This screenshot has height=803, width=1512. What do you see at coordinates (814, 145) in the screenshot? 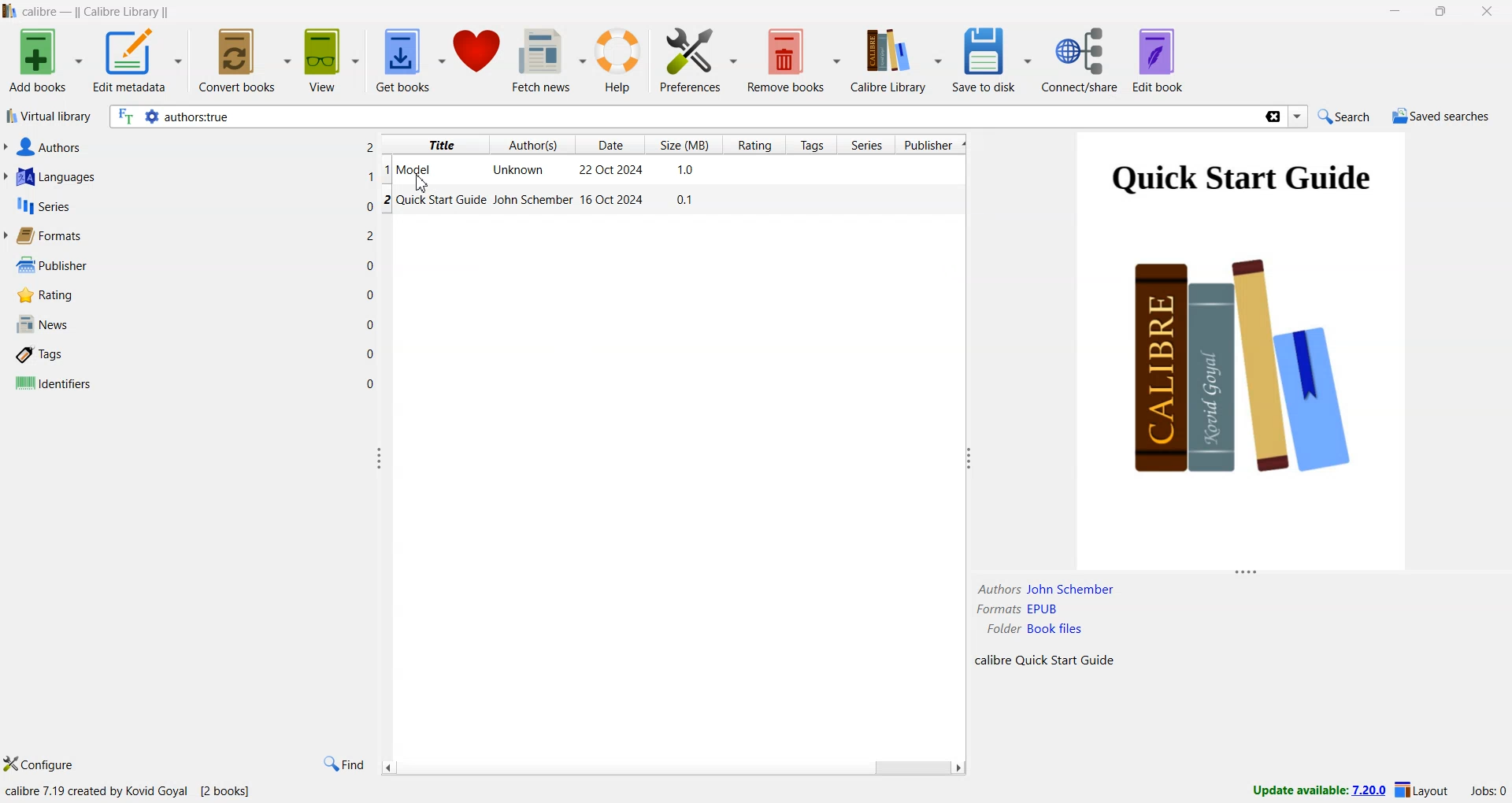
I see `tags` at bounding box center [814, 145].